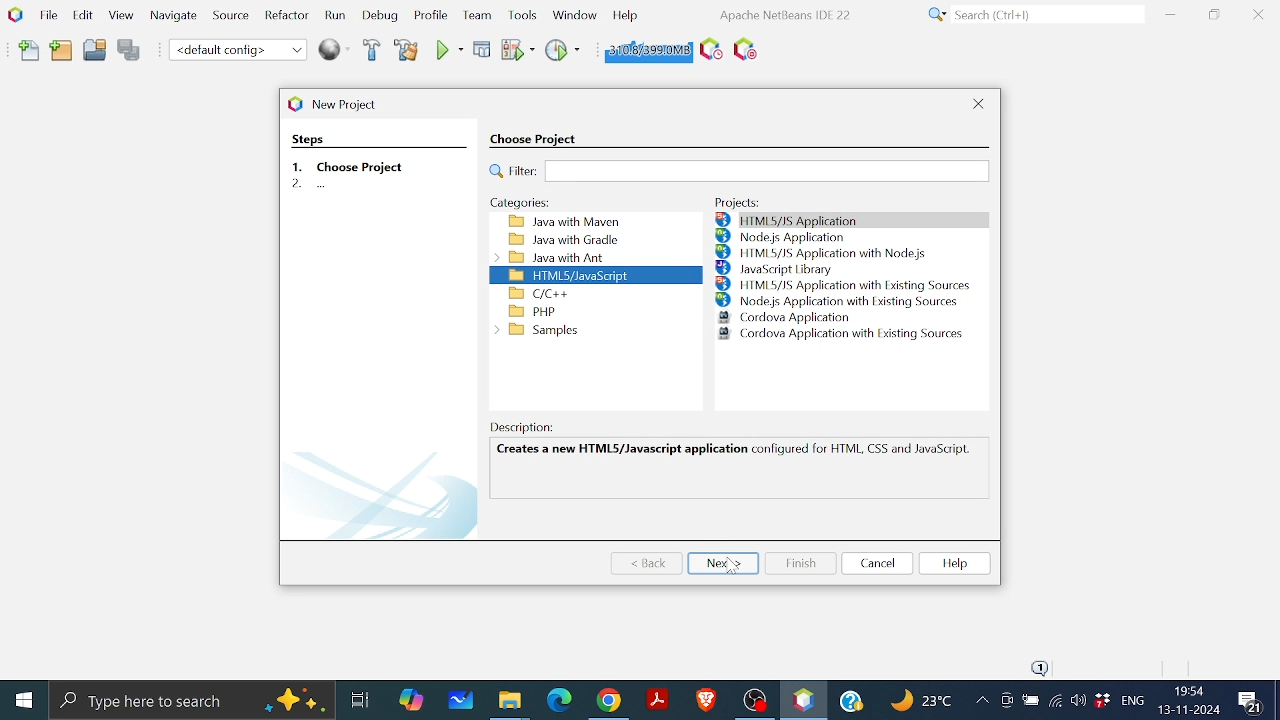 The height and width of the screenshot is (720, 1280). What do you see at coordinates (292, 103) in the screenshot?
I see `logo` at bounding box center [292, 103].